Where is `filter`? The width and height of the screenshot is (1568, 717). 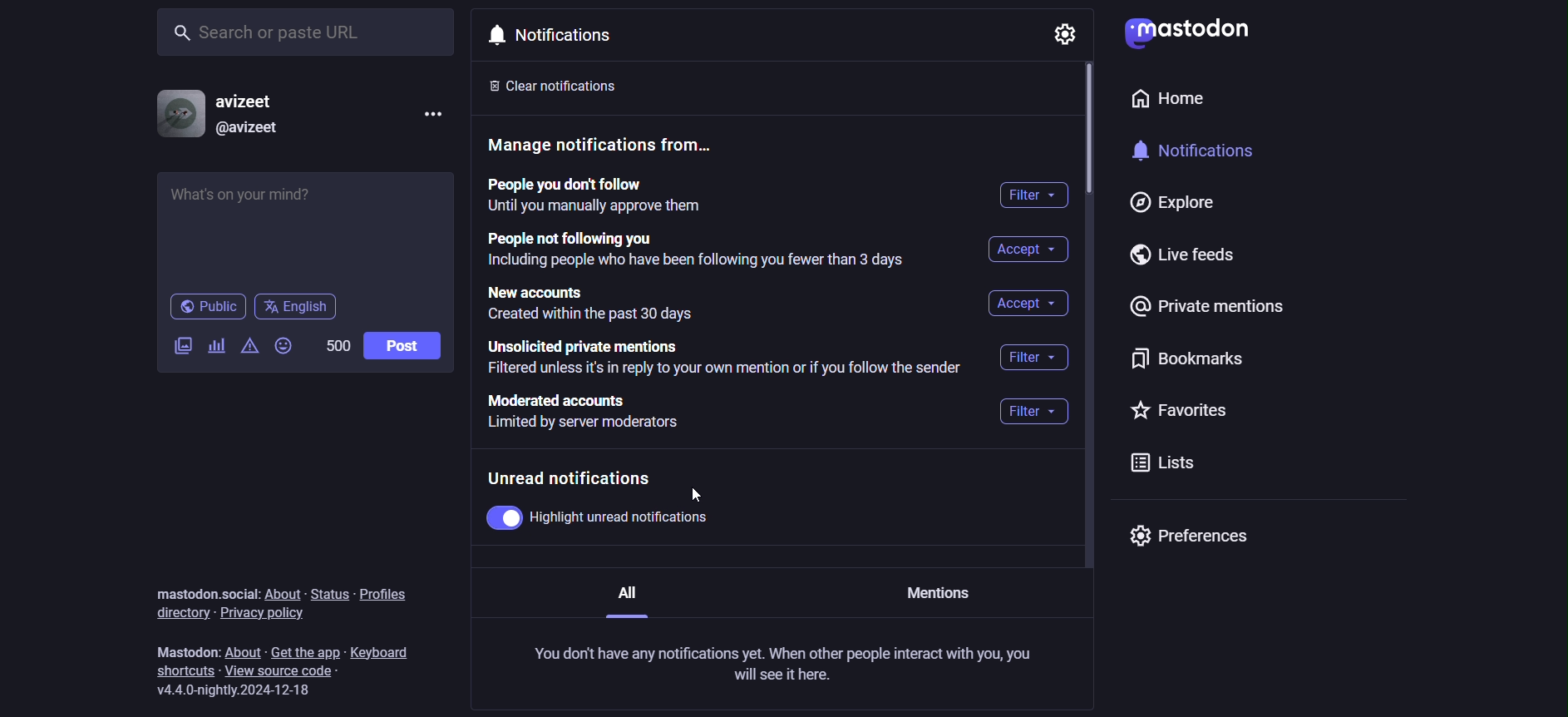
filter is located at coordinates (1035, 195).